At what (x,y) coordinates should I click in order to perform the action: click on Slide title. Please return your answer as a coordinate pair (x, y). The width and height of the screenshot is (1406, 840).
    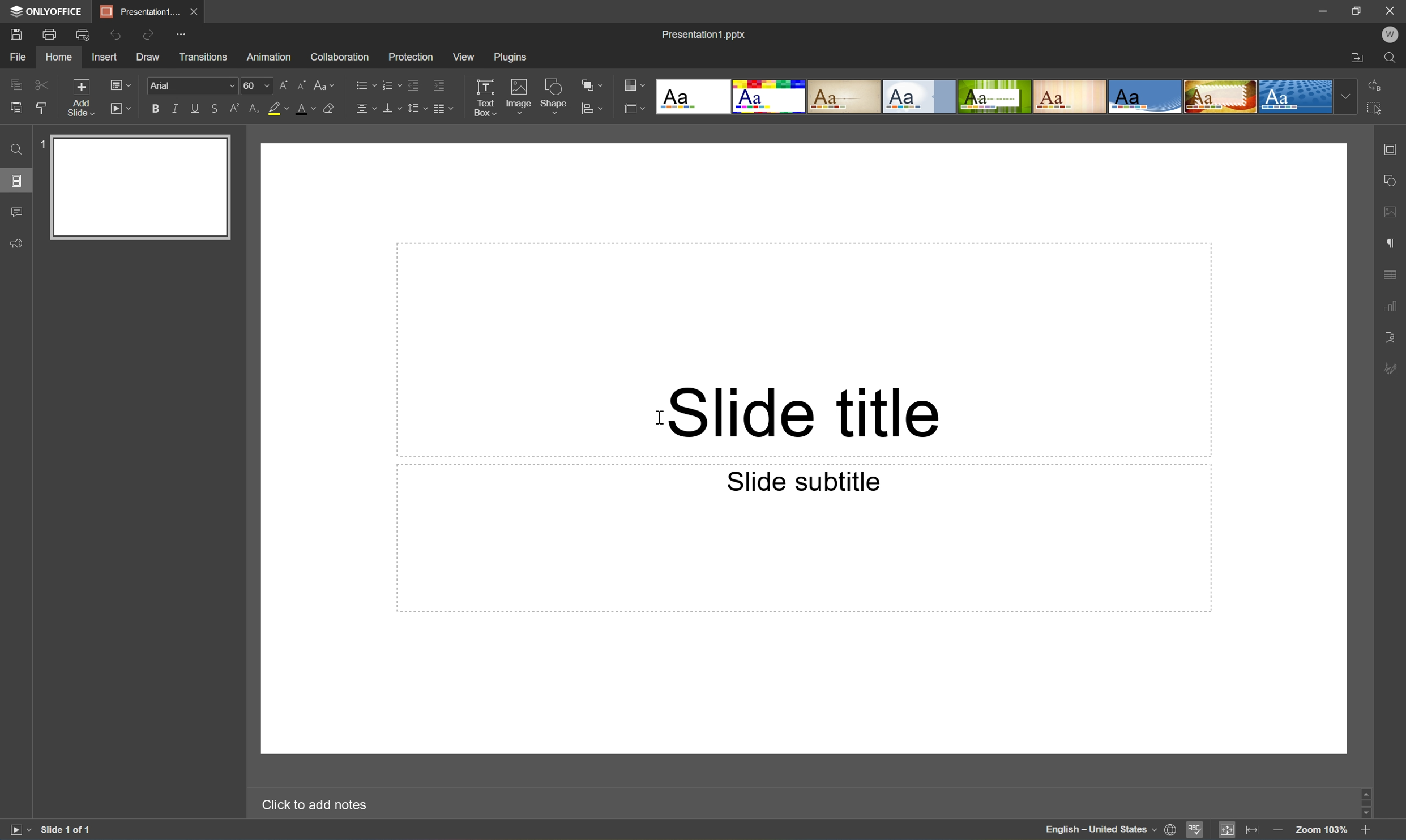
    Looking at the image, I should click on (800, 412).